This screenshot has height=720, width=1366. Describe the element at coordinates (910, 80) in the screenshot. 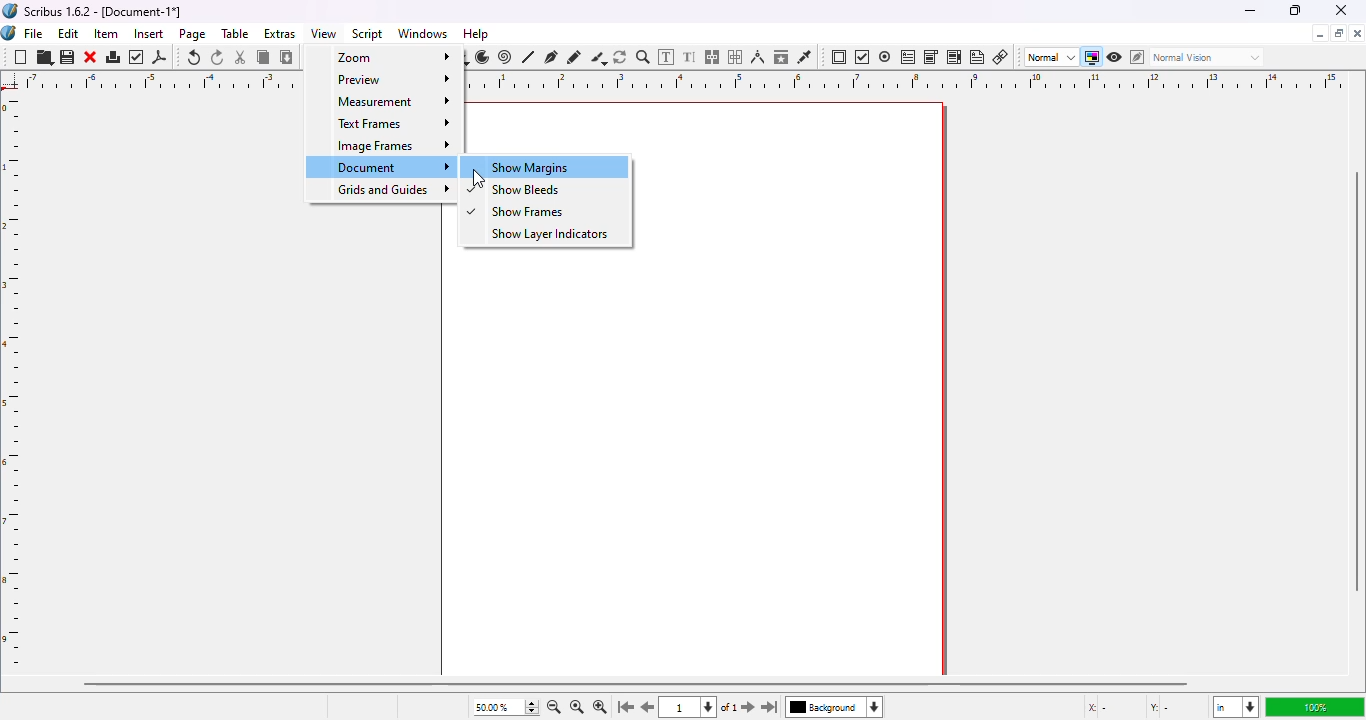

I see `ruler` at that location.